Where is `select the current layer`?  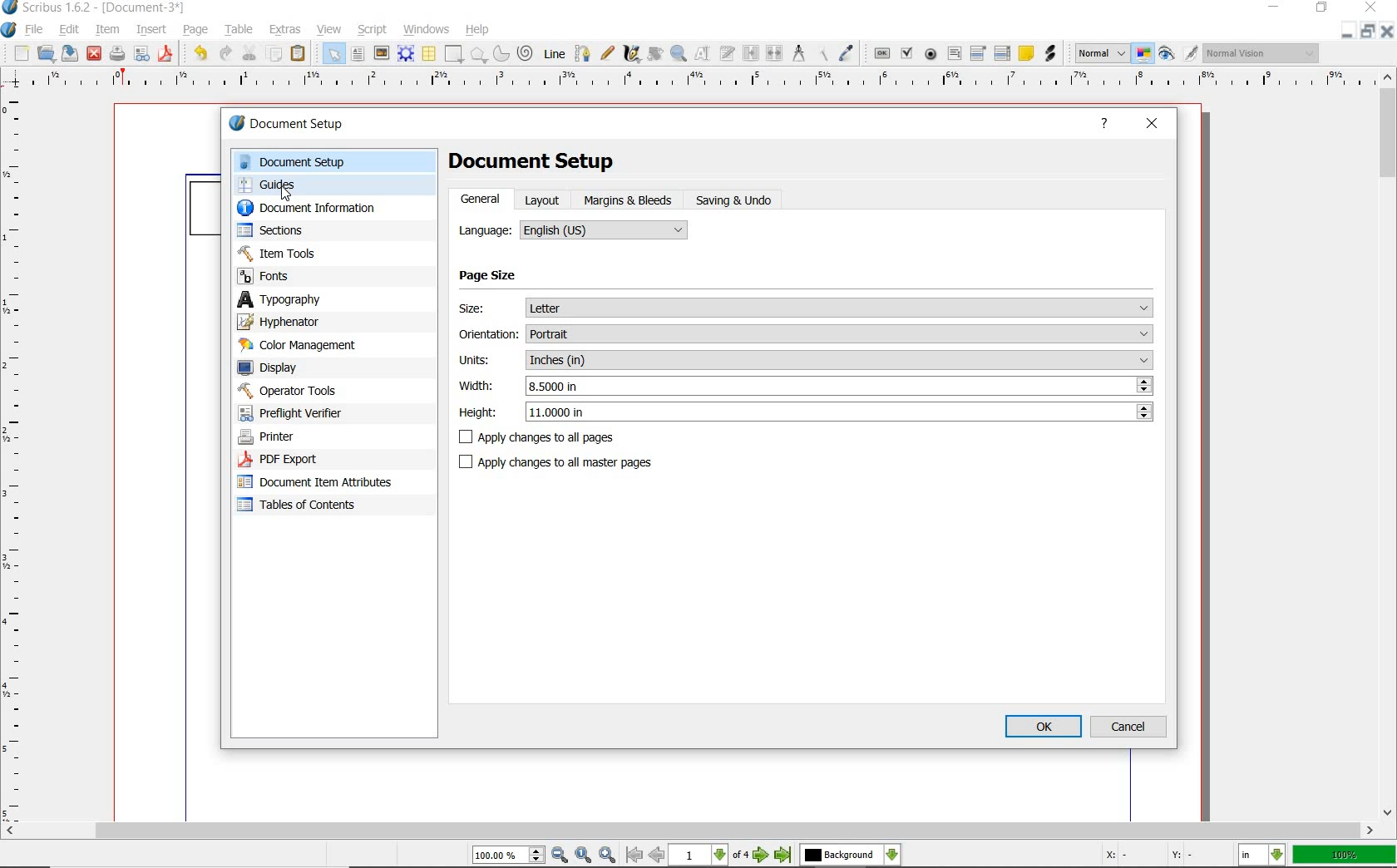
select the current layer is located at coordinates (851, 856).